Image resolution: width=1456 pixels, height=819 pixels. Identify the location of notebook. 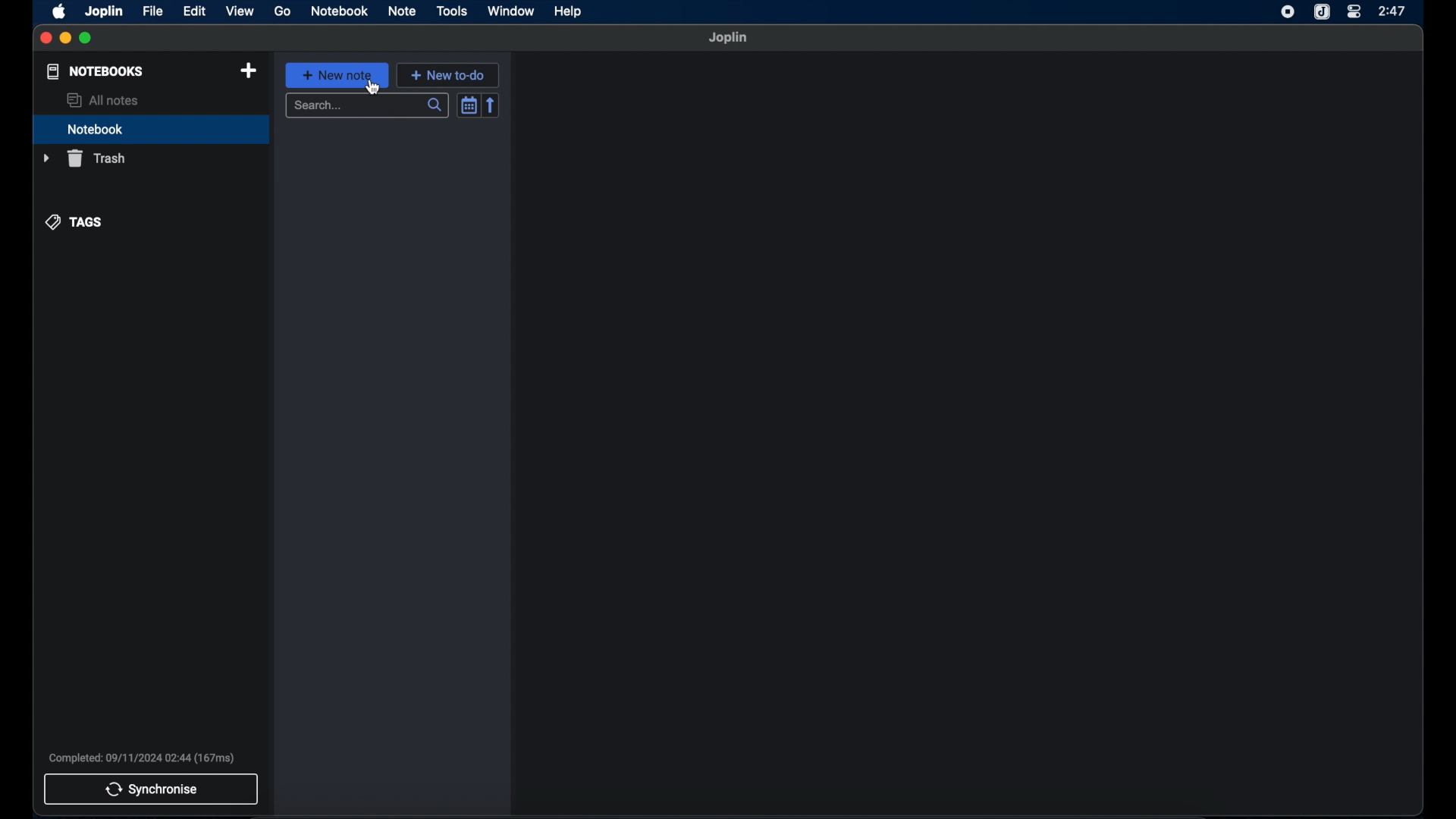
(151, 130).